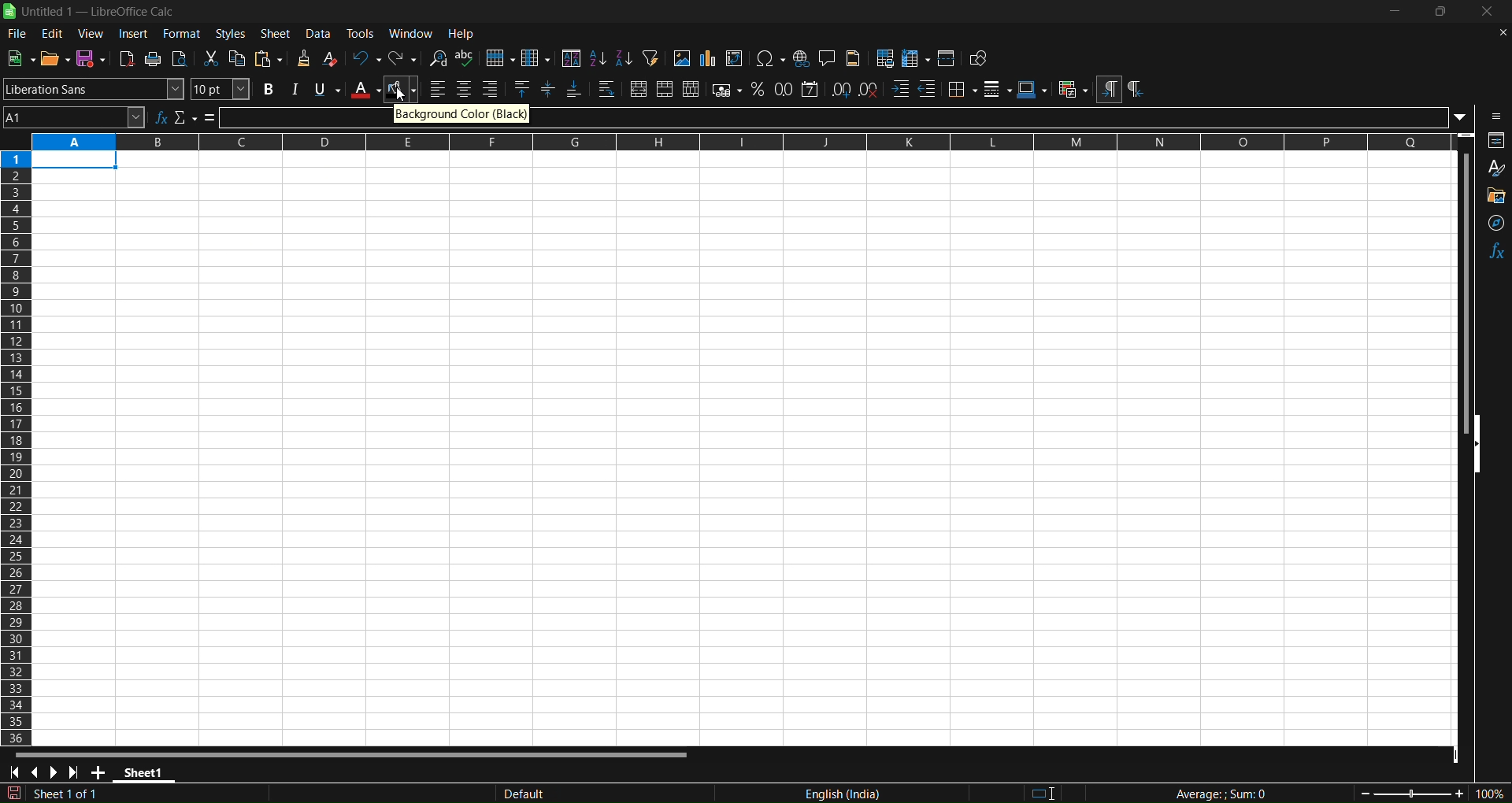 This screenshot has height=803, width=1512. What do you see at coordinates (36, 772) in the screenshot?
I see `scroll to previous sheet` at bounding box center [36, 772].